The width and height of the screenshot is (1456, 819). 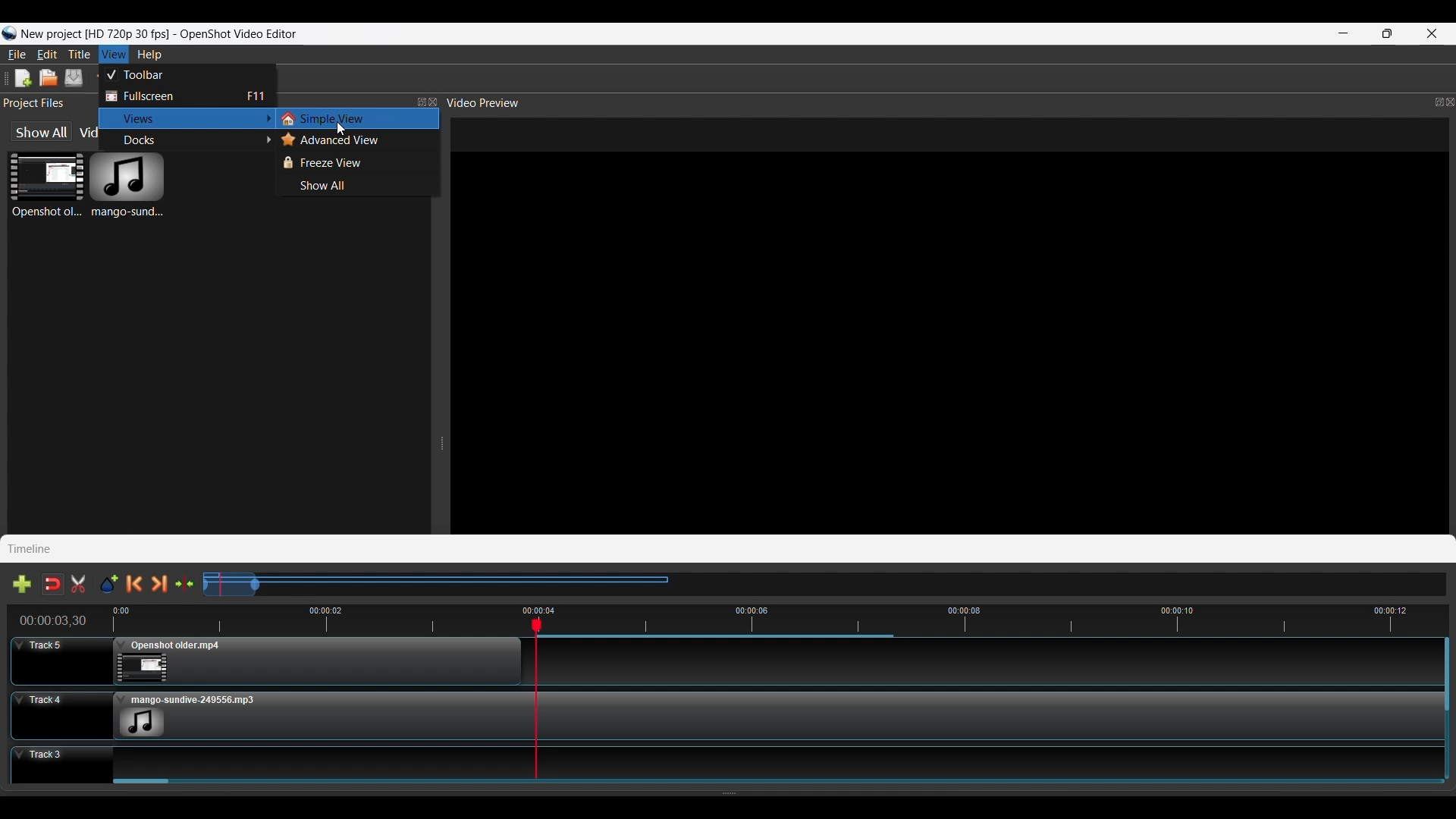 What do you see at coordinates (135, 584) in the screenshot?
I see `Previous Marker` at bounding box center [135, 584].